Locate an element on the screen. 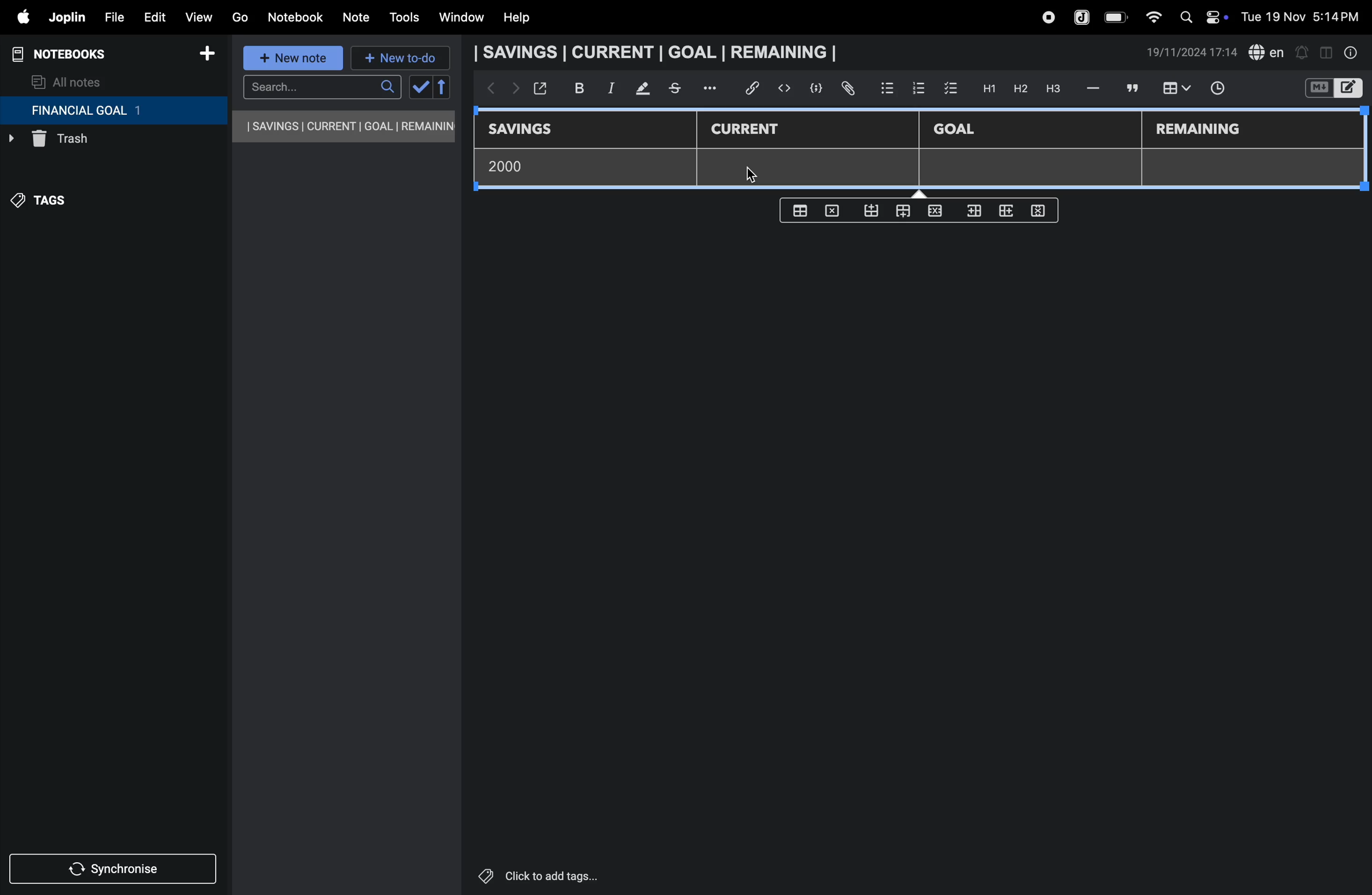 The image size is (1372, 895). mark is located at coordinates (638, 89).